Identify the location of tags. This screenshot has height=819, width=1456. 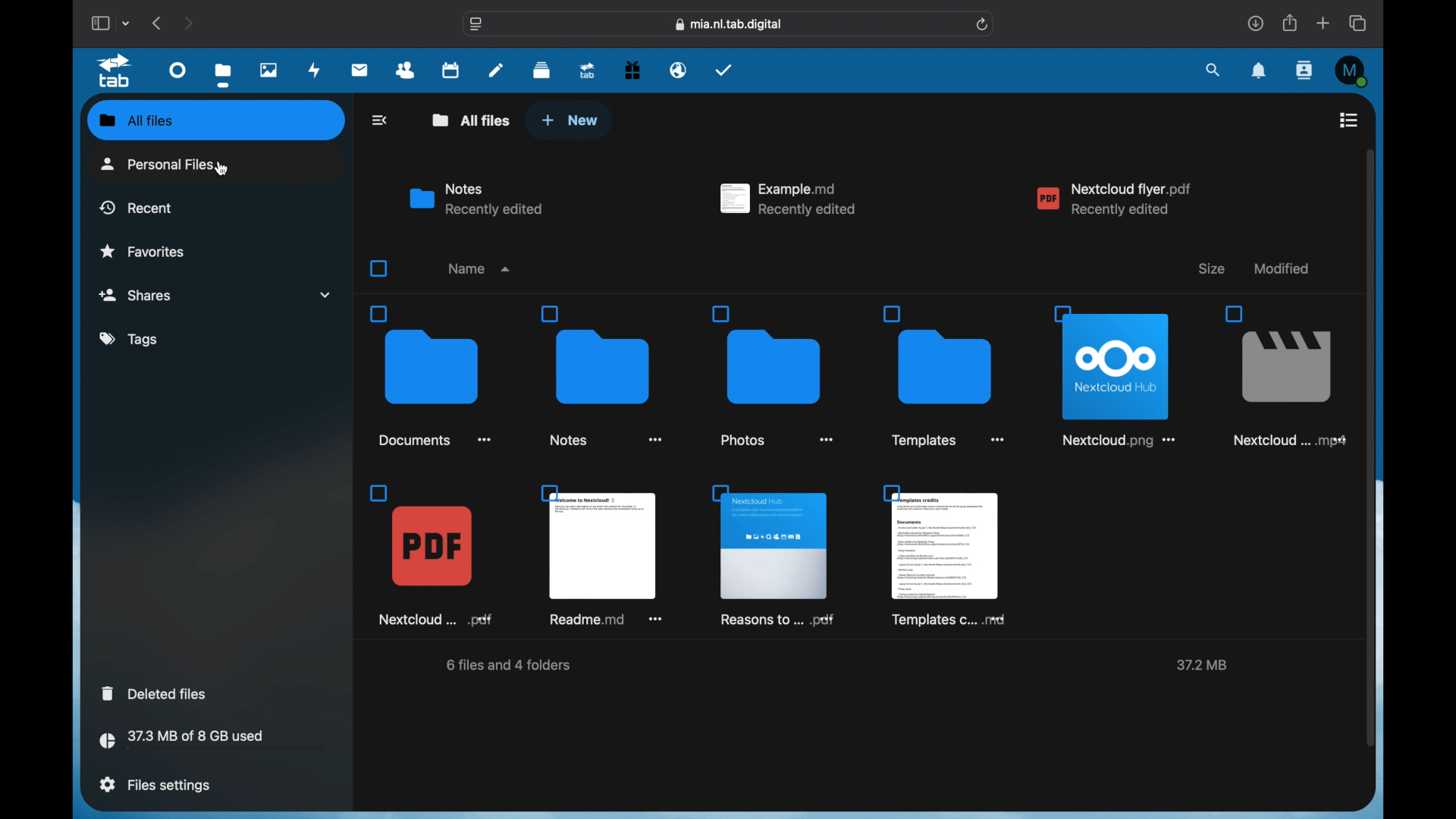
(130, 340).